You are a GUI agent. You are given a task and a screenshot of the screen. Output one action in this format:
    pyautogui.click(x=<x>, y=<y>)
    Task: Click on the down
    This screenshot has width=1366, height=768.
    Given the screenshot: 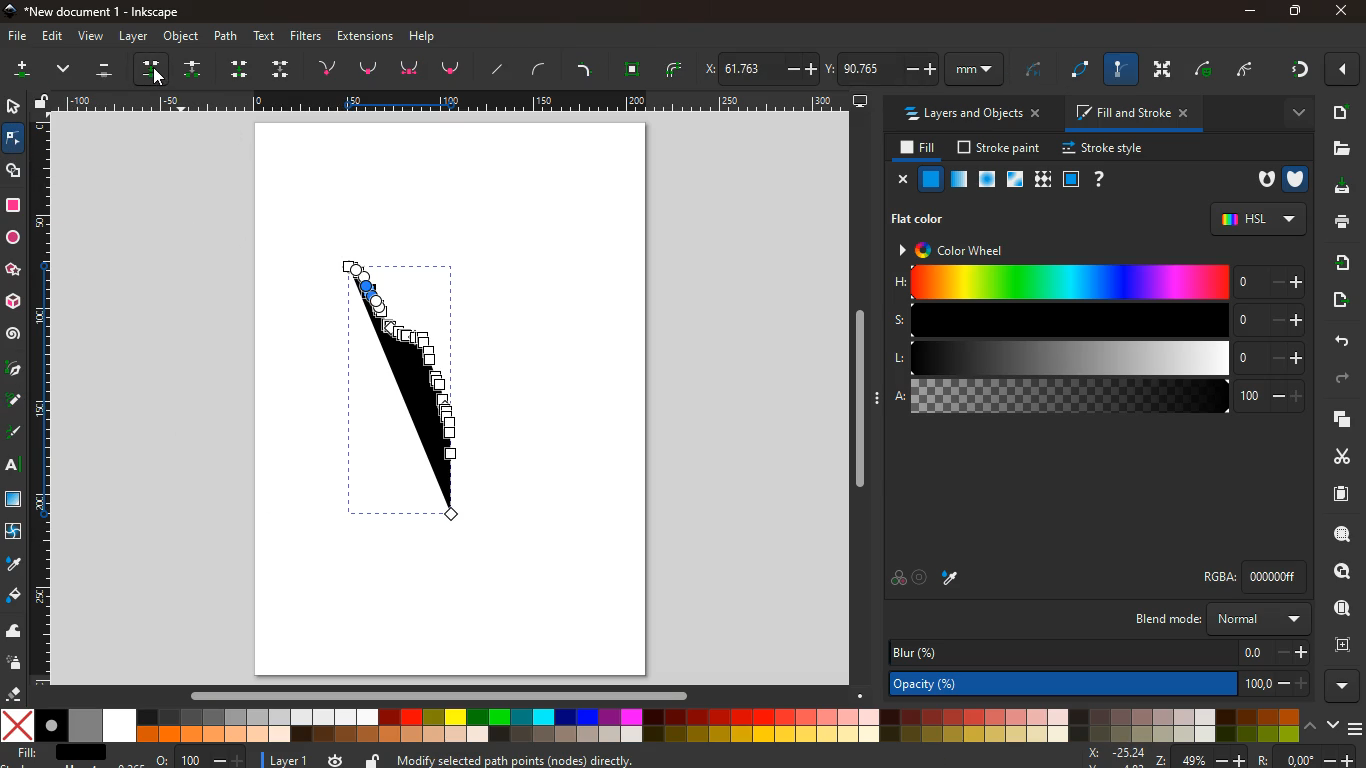 What is the action you would take?
    pyautogui.click(x=1331, y=725)
    